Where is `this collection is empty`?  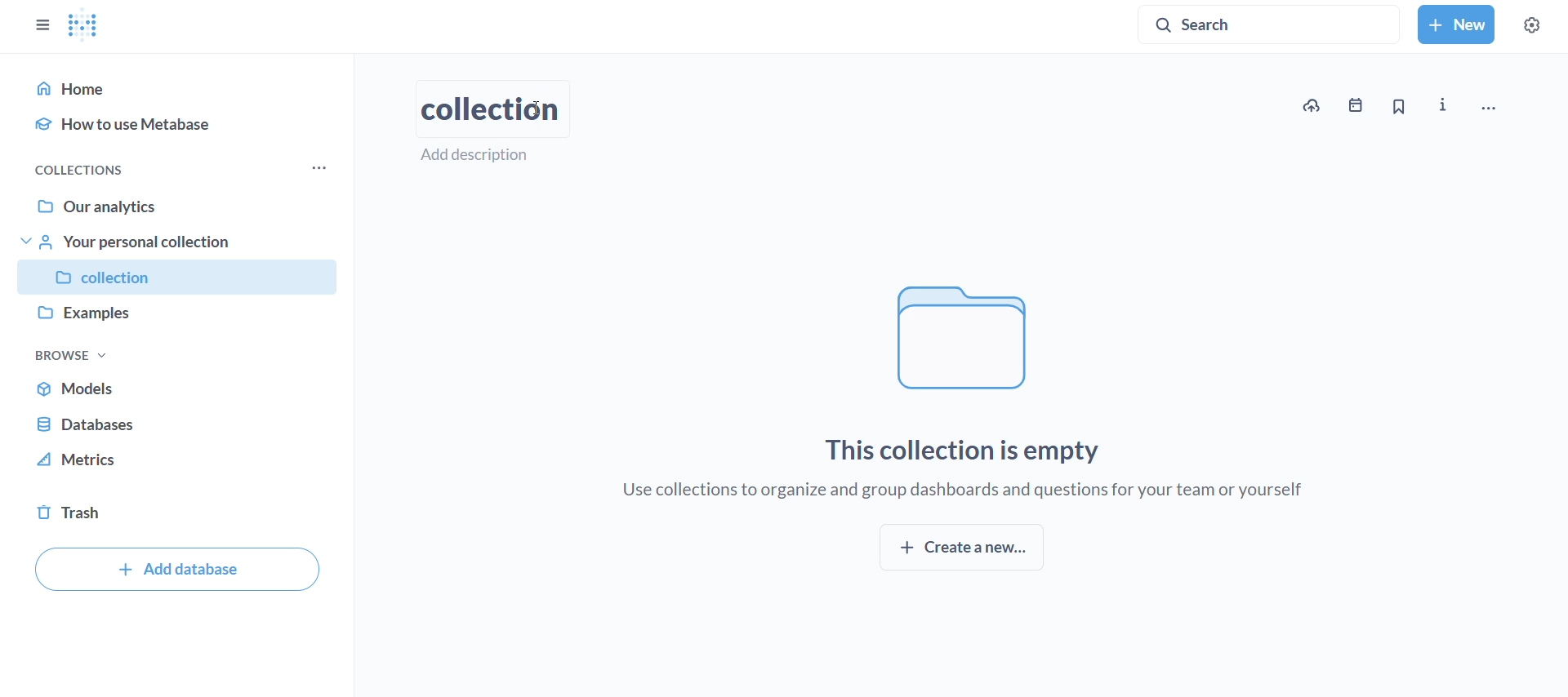 this collection is empty is located at coordinates (967, 450).